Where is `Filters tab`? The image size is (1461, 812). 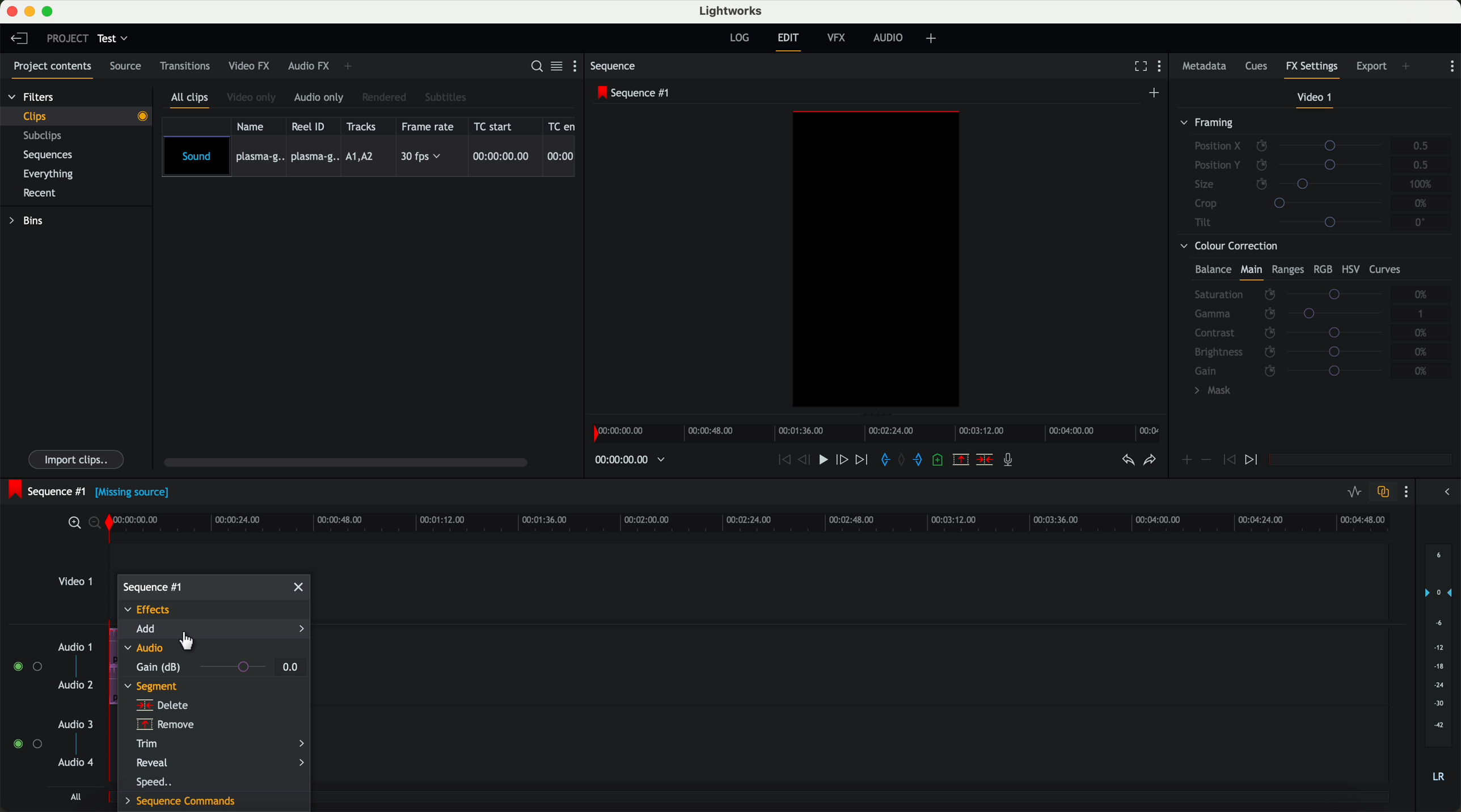
Filters tab is located at coordinates (31, 99).